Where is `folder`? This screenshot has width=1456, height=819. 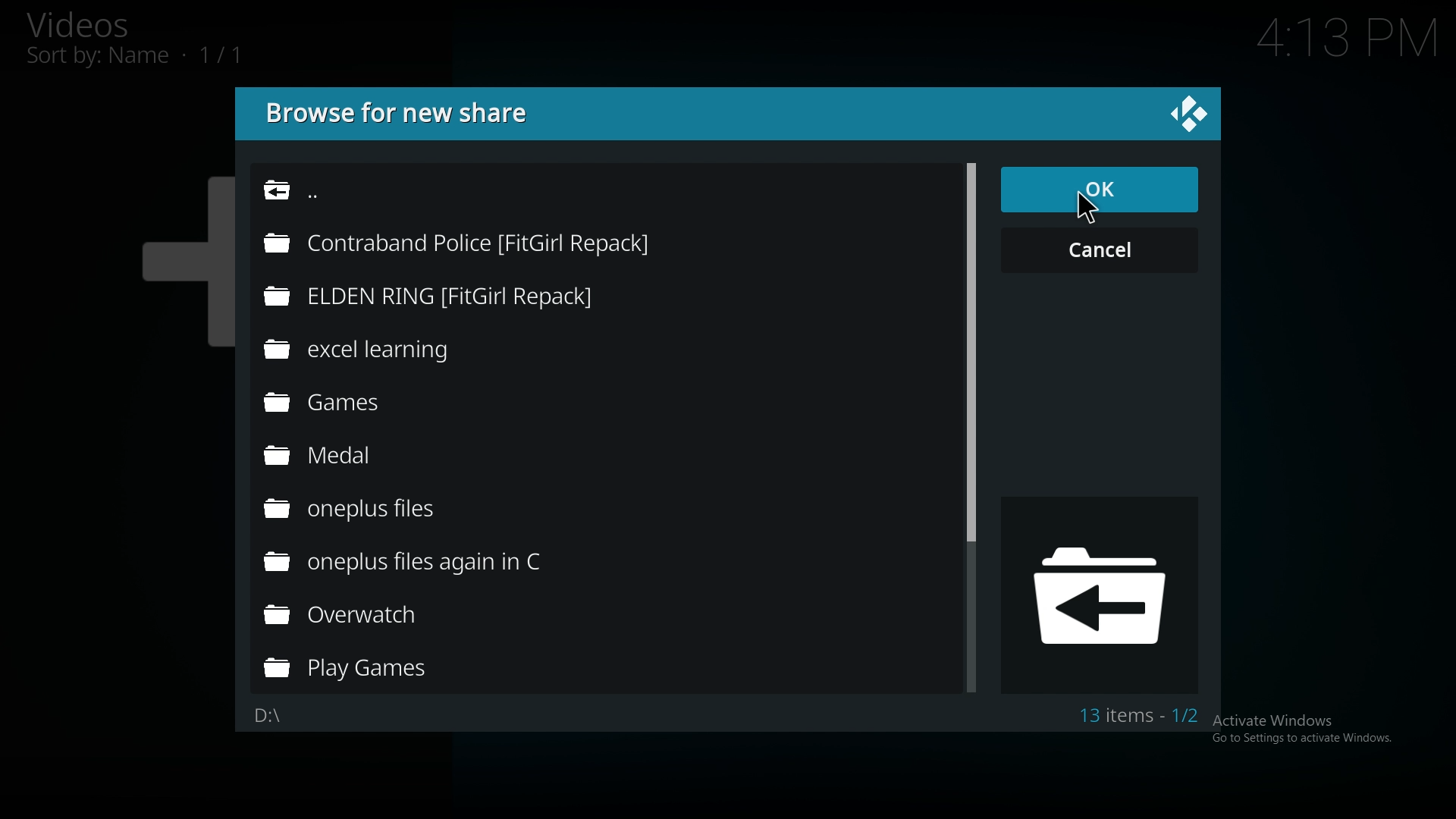
folder is located at coordinates (479, 242).